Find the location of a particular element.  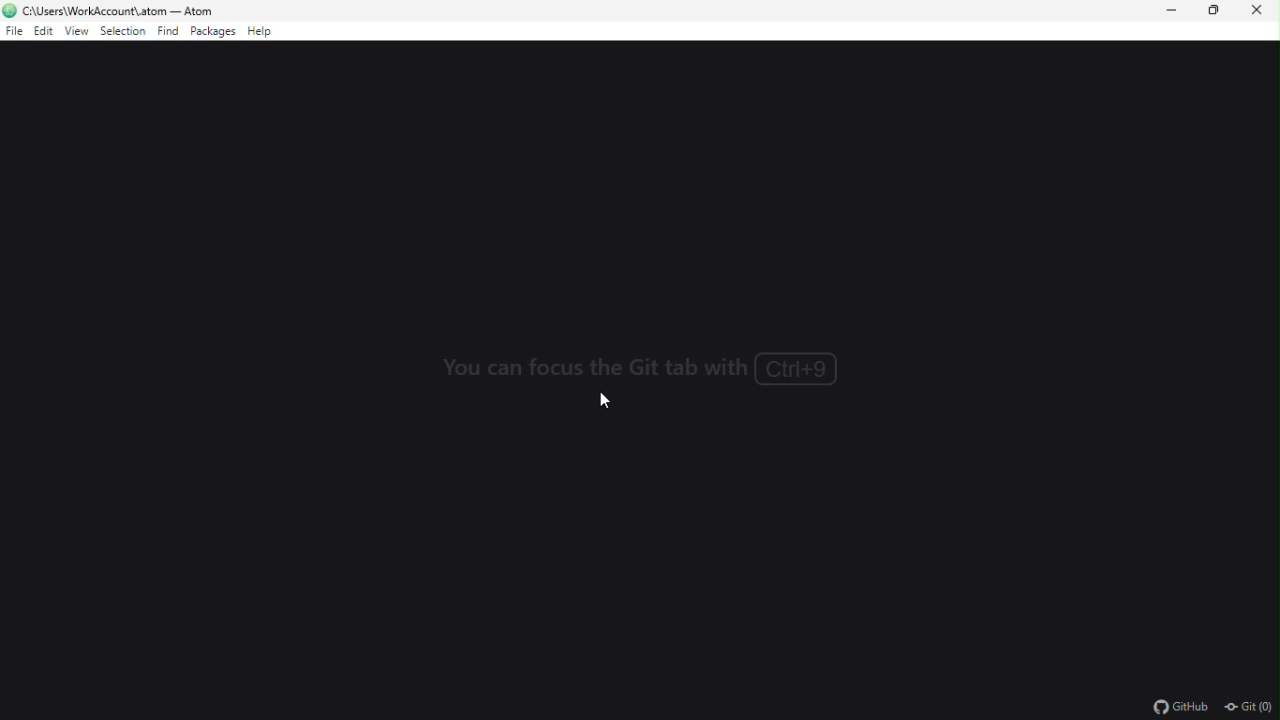

edit is located at coordinates (43, 31).